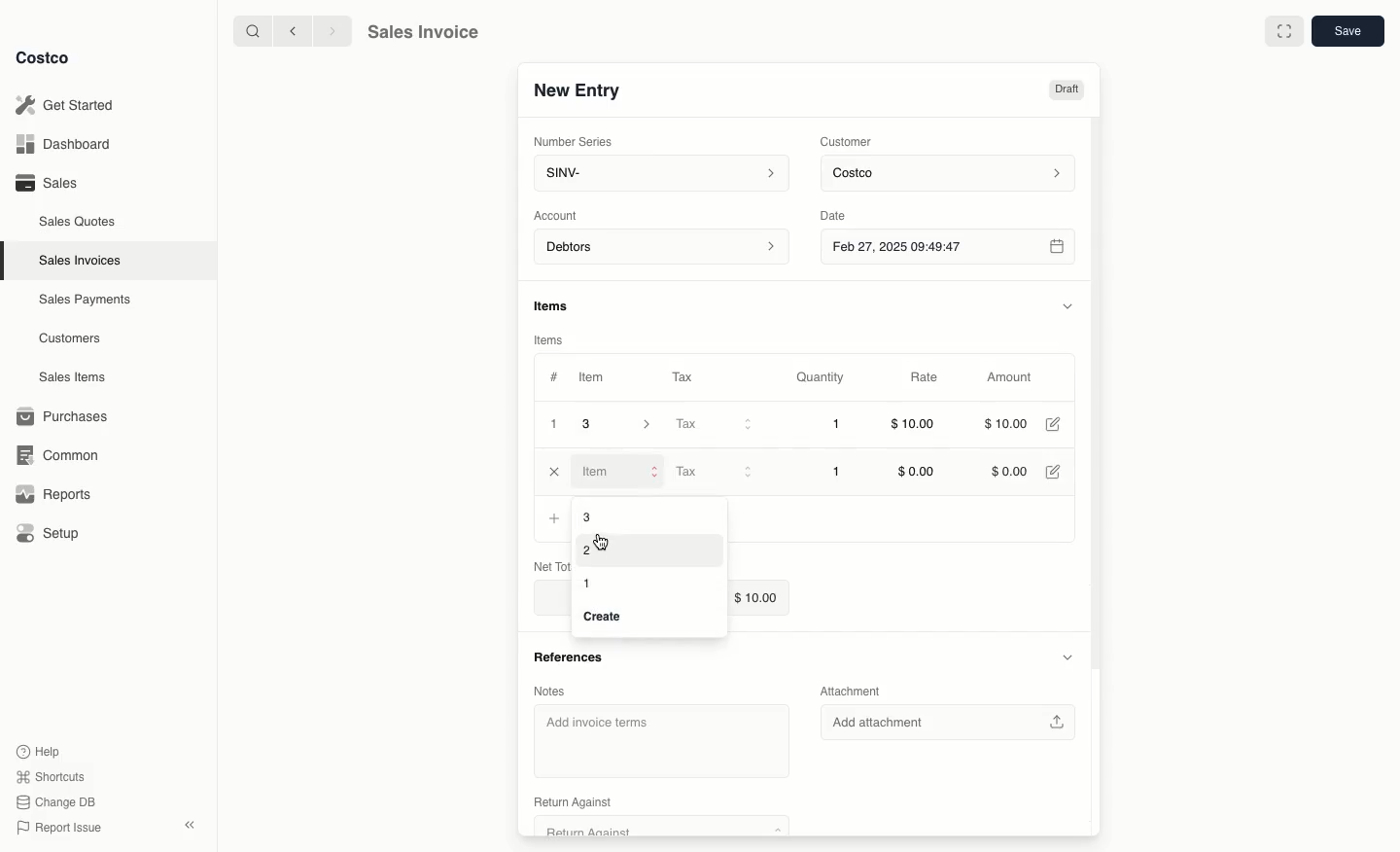 This screenshot has width=1400, height=852. What do you see at coordinates (68, 105) in the screenshot?
I see `Get Started` at bounding box center [68, 105].